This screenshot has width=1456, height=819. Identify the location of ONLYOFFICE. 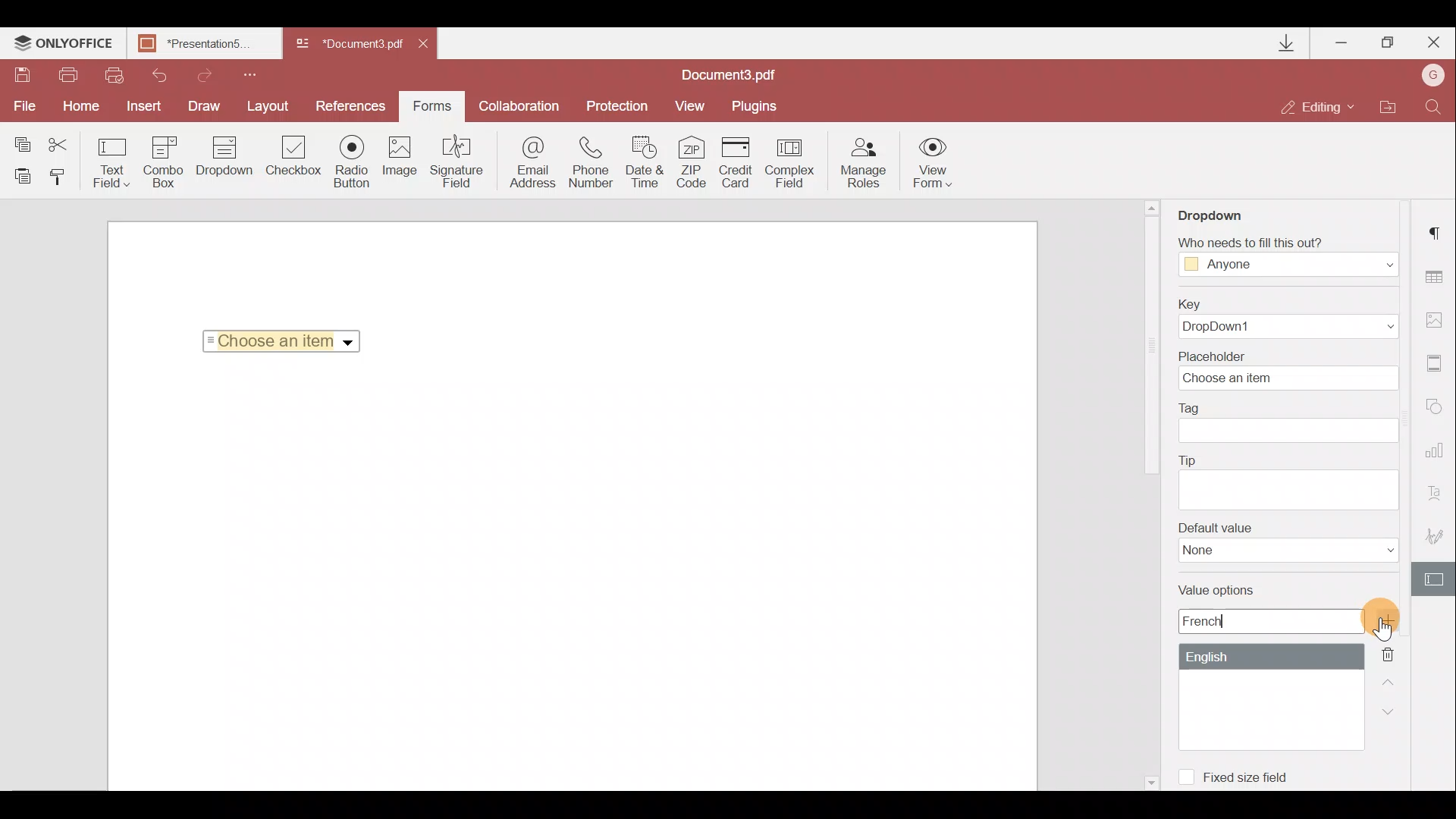
(64, 45).